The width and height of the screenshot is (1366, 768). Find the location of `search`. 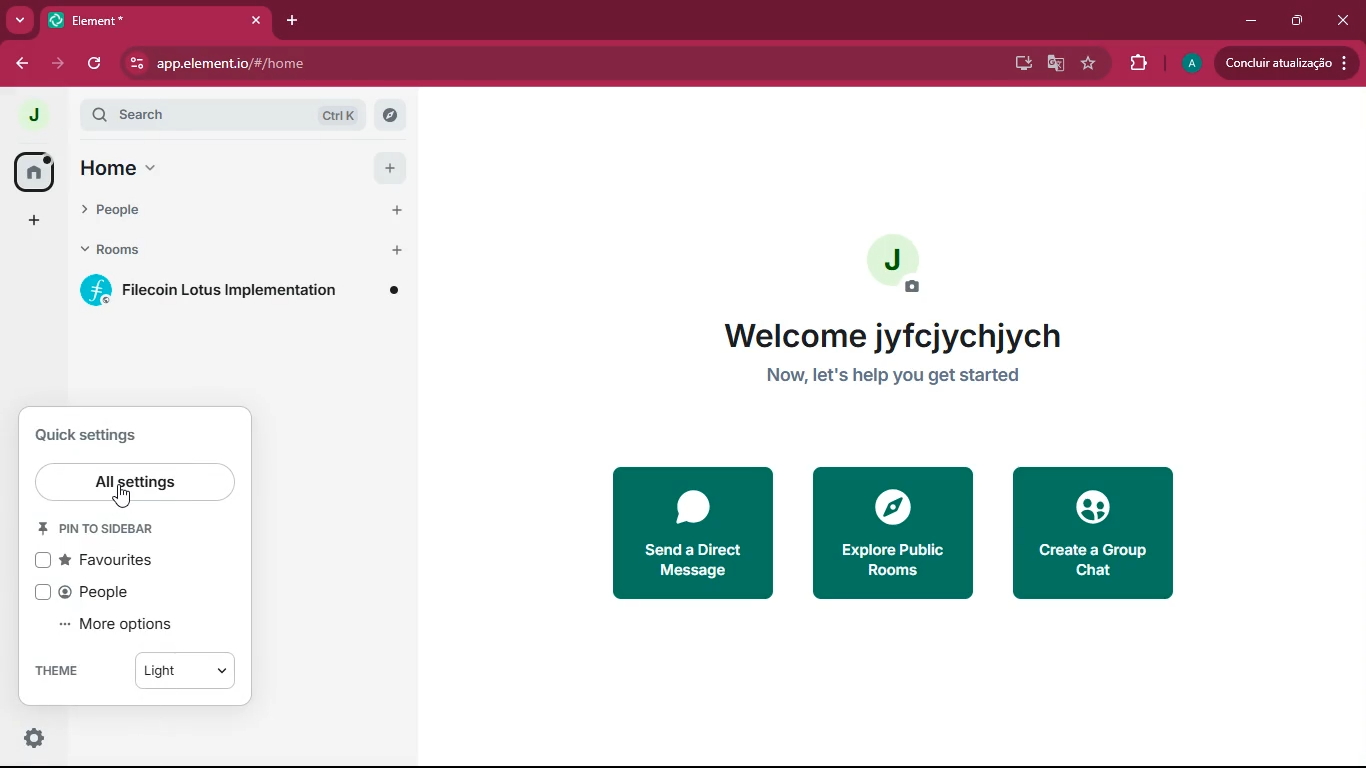

search is located at coordinates (225, 115).